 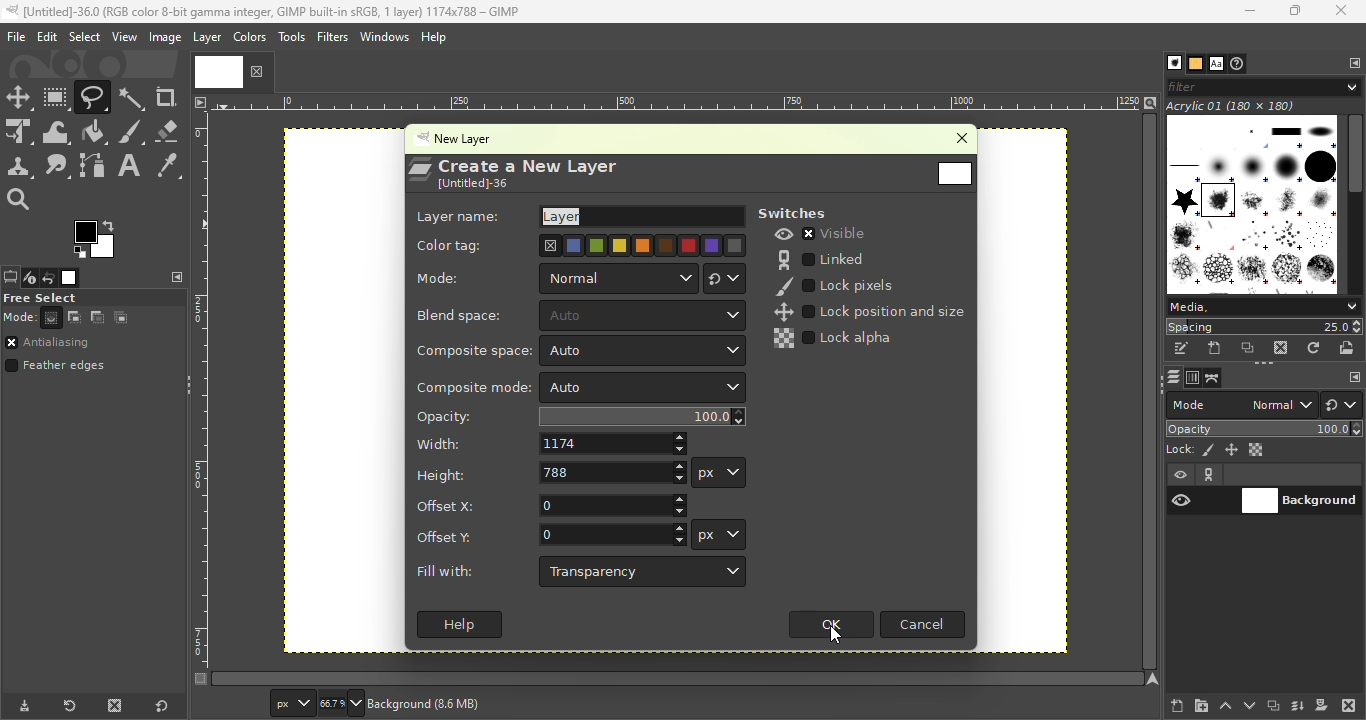 What do you see at coordinates (163, 37) in the screenshot?
I see `Image` at bounding box center [163, 37].